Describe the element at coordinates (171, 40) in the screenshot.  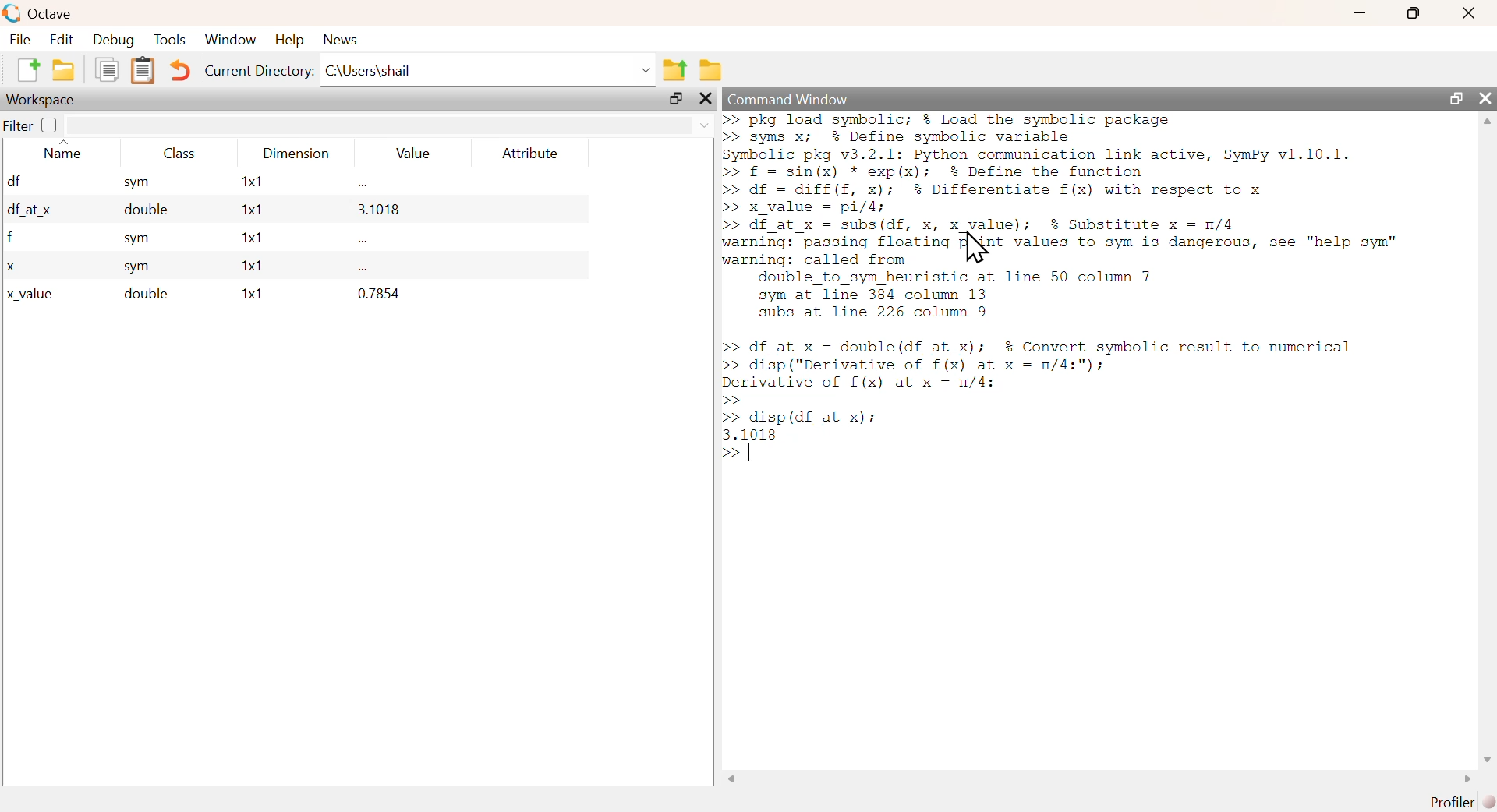
I see `Tools` at that location.